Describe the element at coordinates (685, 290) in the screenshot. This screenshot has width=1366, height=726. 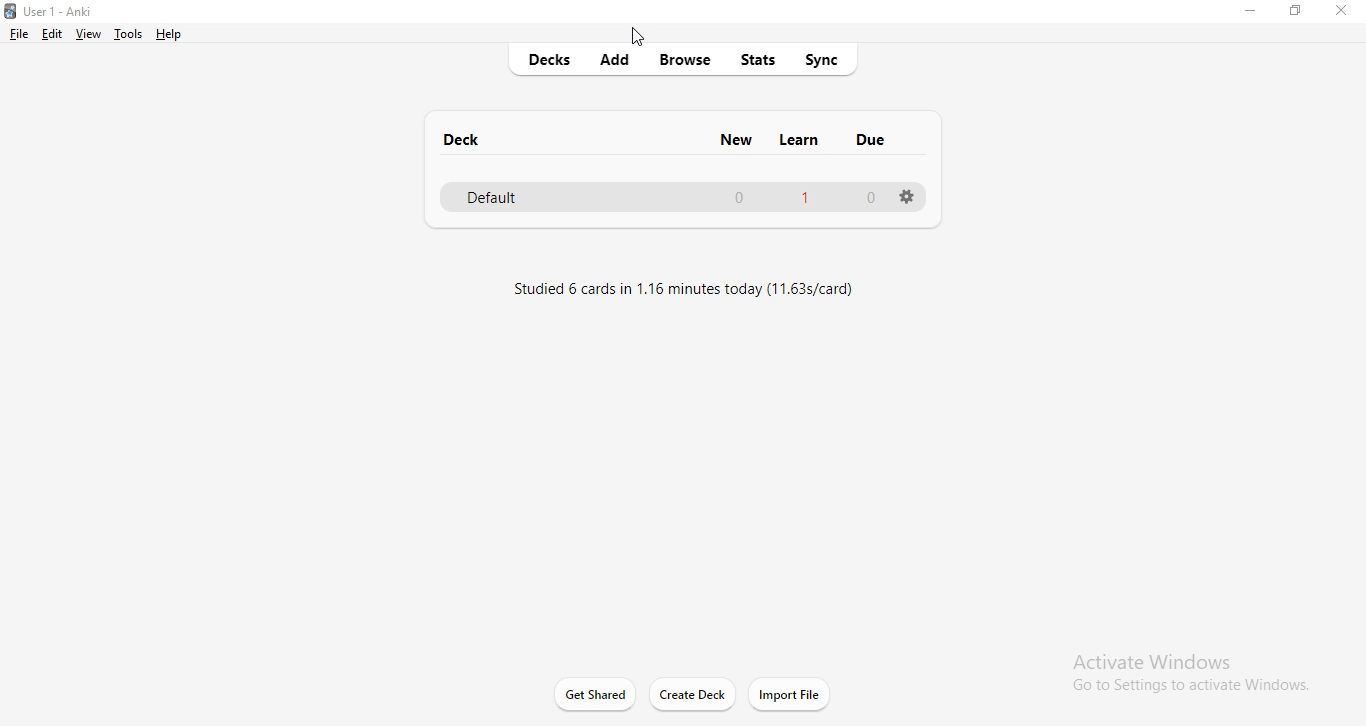
I see `Studied 6 cards in 1.16 minutes today (11.63s/card)` at that location.